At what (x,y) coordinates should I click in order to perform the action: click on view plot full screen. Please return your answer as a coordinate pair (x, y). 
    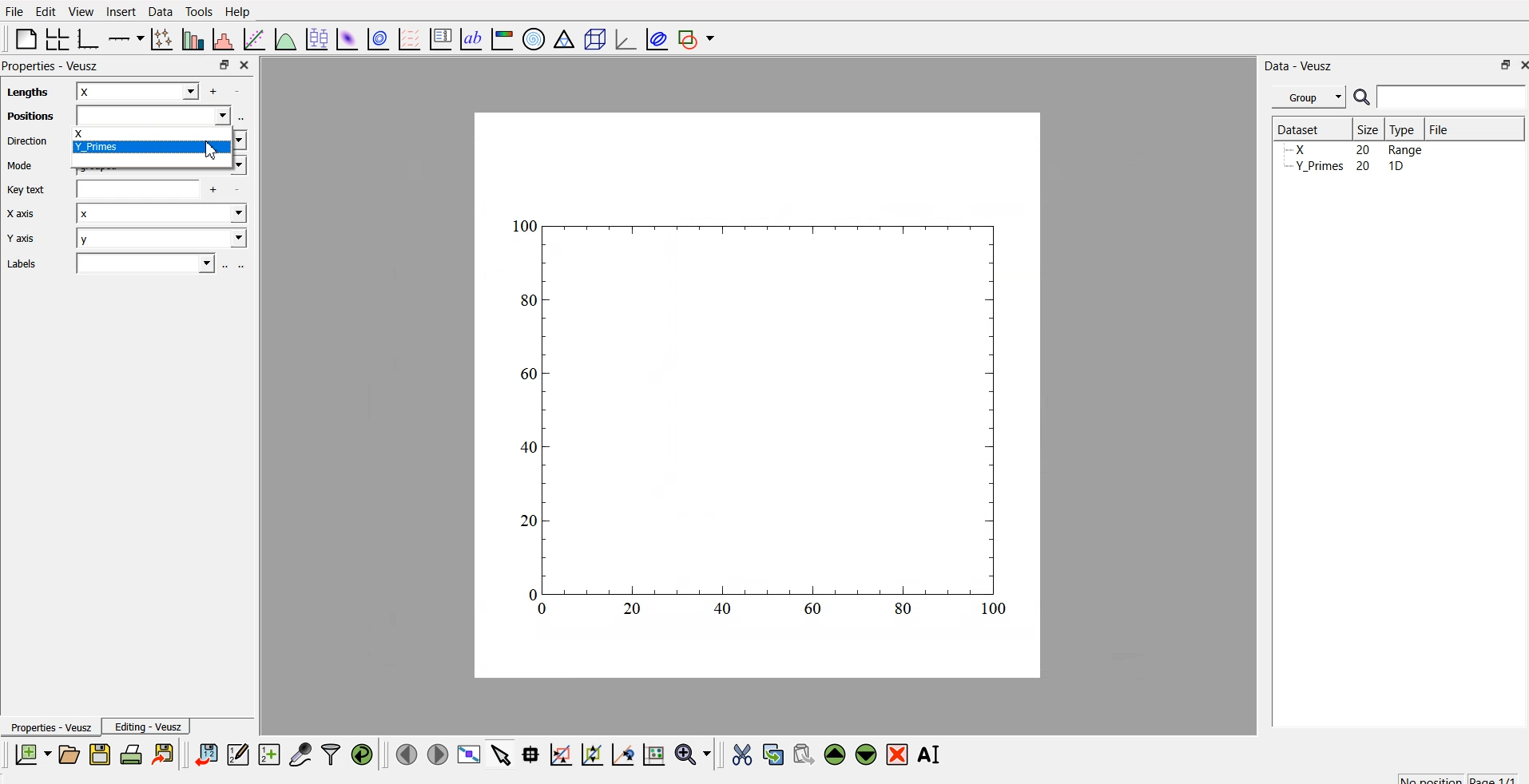
    Looking at the image, I should click on (470, 754).